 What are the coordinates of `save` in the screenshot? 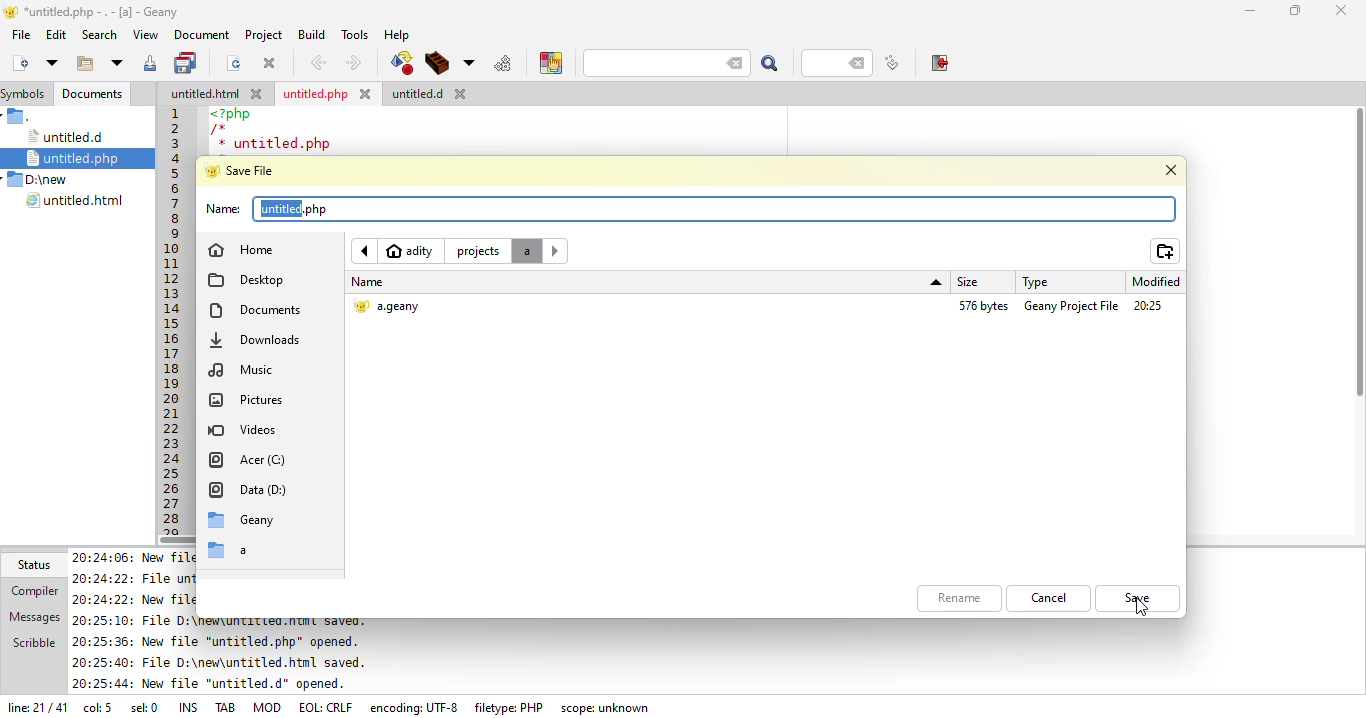 It's located at (1139, 599).